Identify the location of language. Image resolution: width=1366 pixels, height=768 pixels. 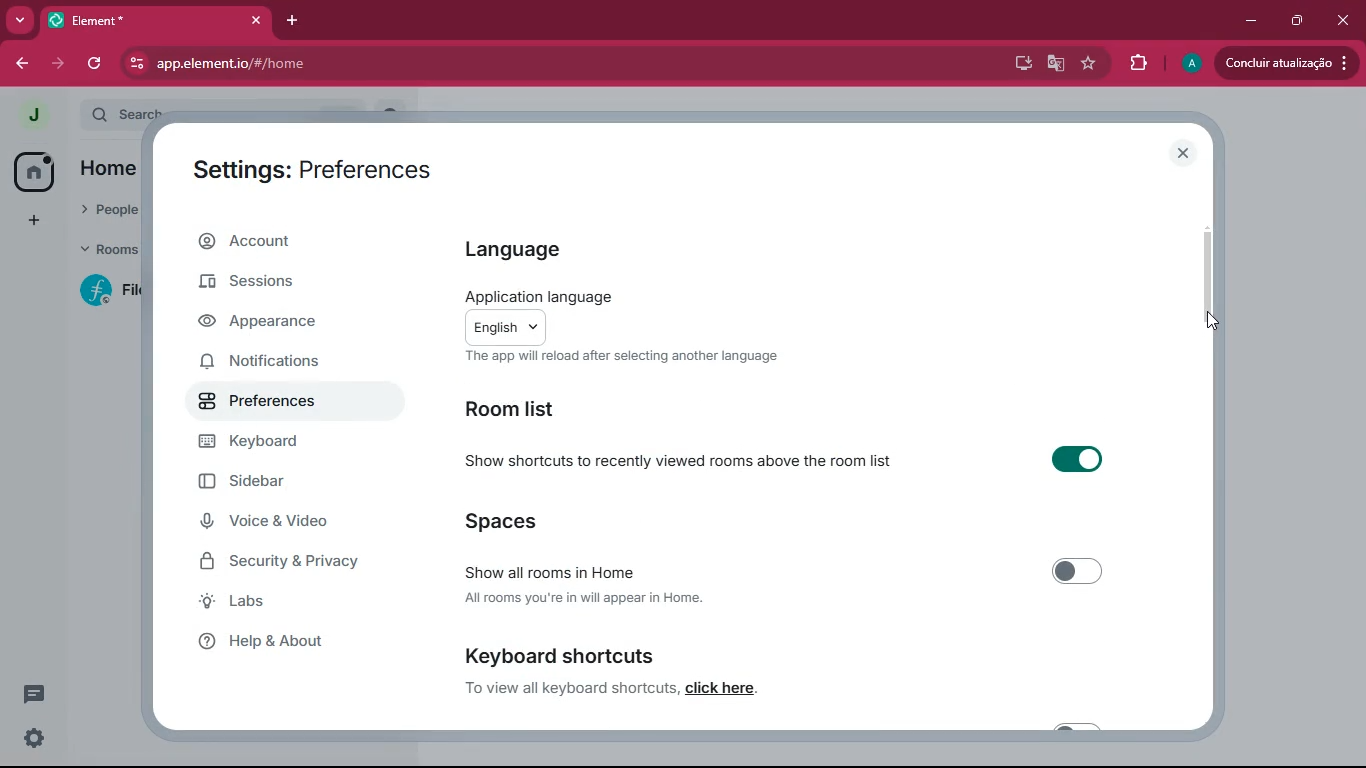
(529, 247).